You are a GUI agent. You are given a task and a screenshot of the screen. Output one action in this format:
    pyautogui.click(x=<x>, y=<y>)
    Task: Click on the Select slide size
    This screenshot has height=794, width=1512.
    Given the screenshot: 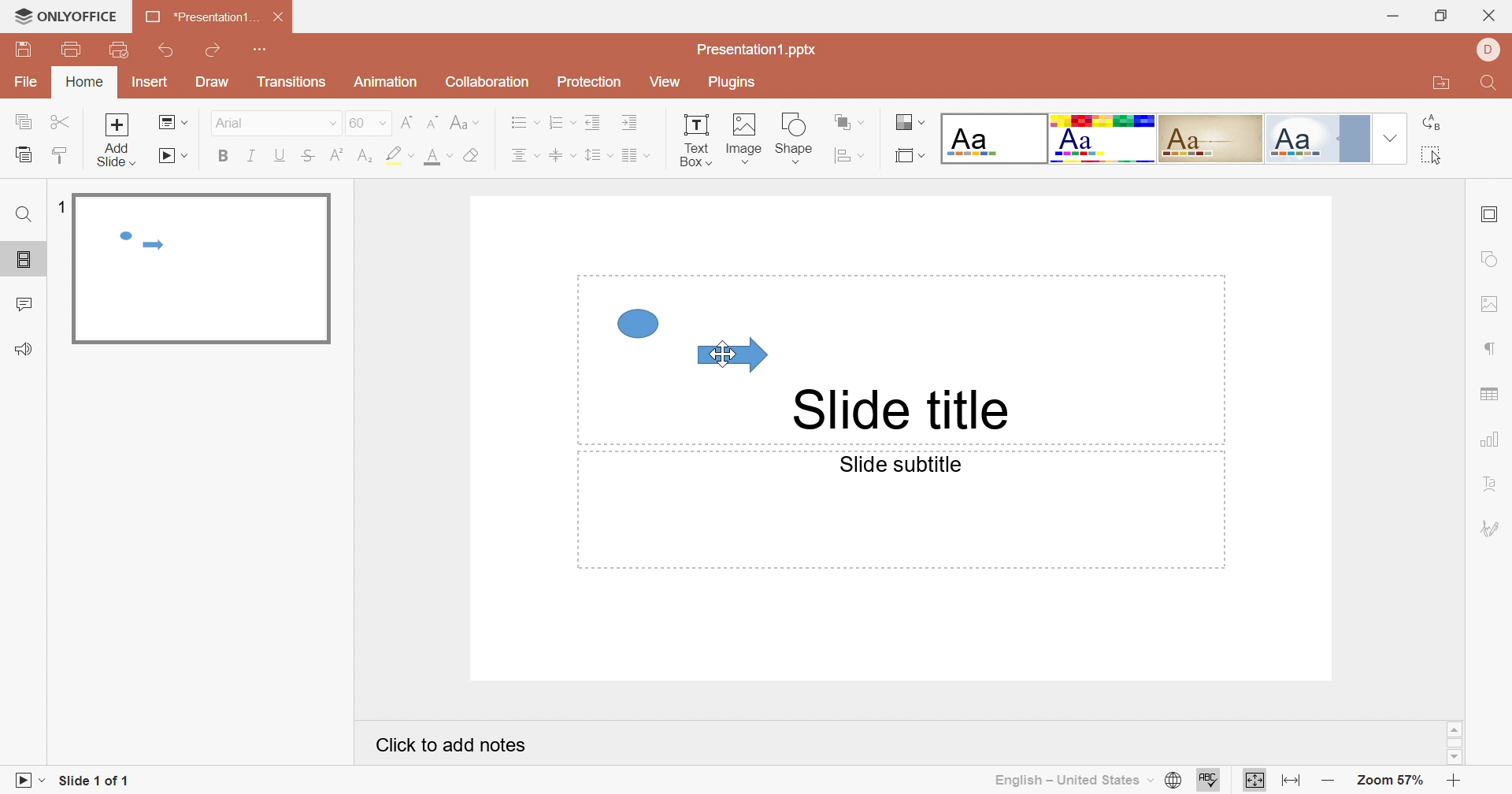 What is the action you would take?
    pyautogui.click(x=911, y=157)
    